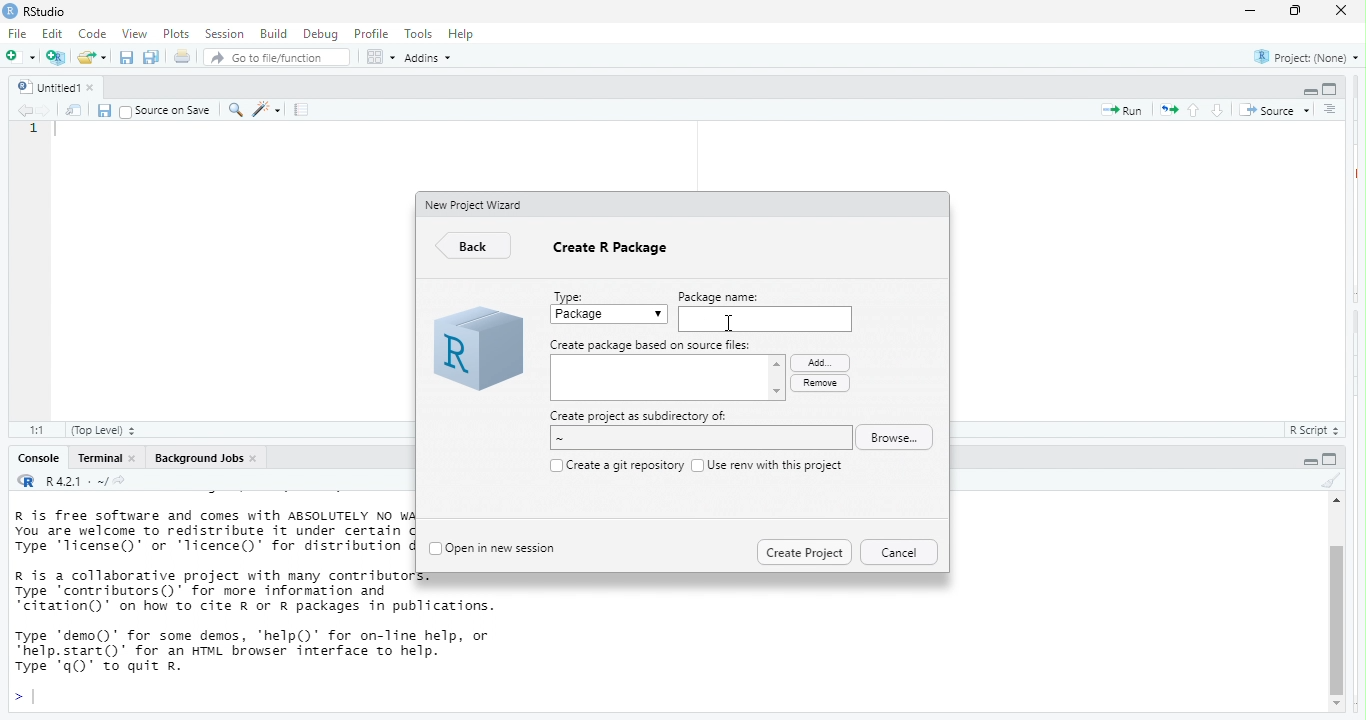 Image resolution: width=1366 pixels, height=720 pixels. Describe the element at coordinates (777, 465) in the screenshot. I see `Use renv with this project` at that location.